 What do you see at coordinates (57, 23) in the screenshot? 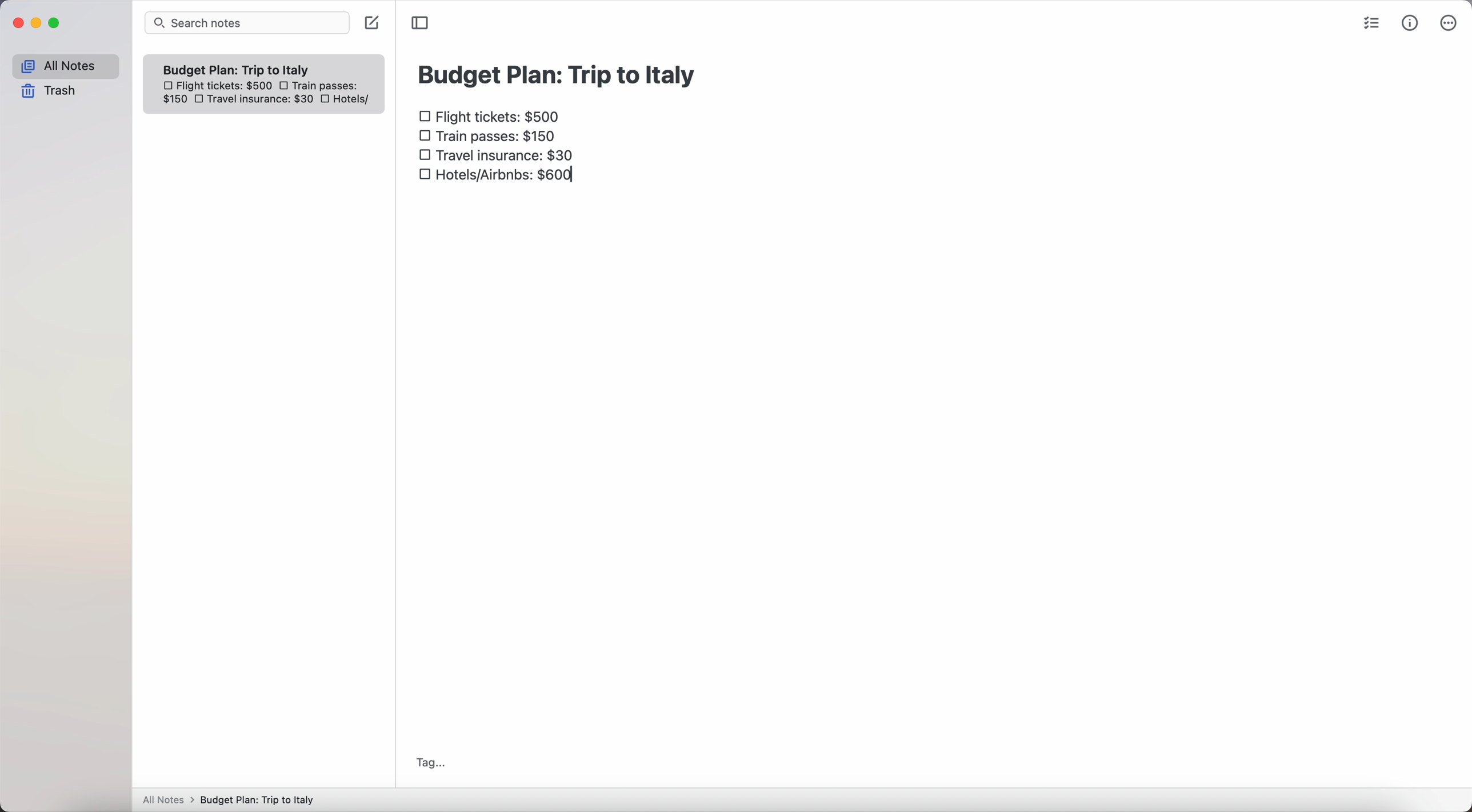
I see `maximize` at bounding box center [57, 23].